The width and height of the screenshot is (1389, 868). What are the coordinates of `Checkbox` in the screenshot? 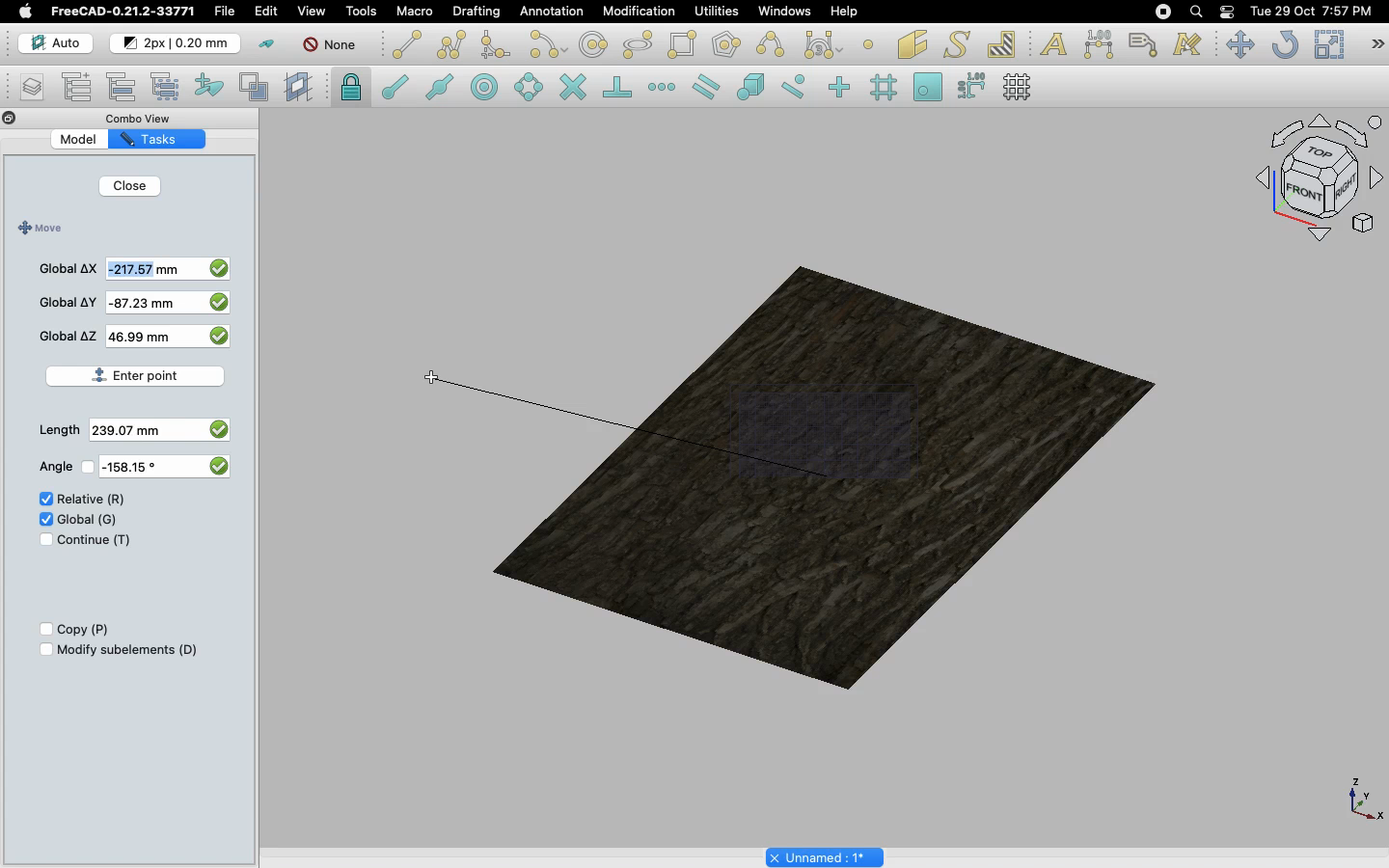 It's located at (43, 650).